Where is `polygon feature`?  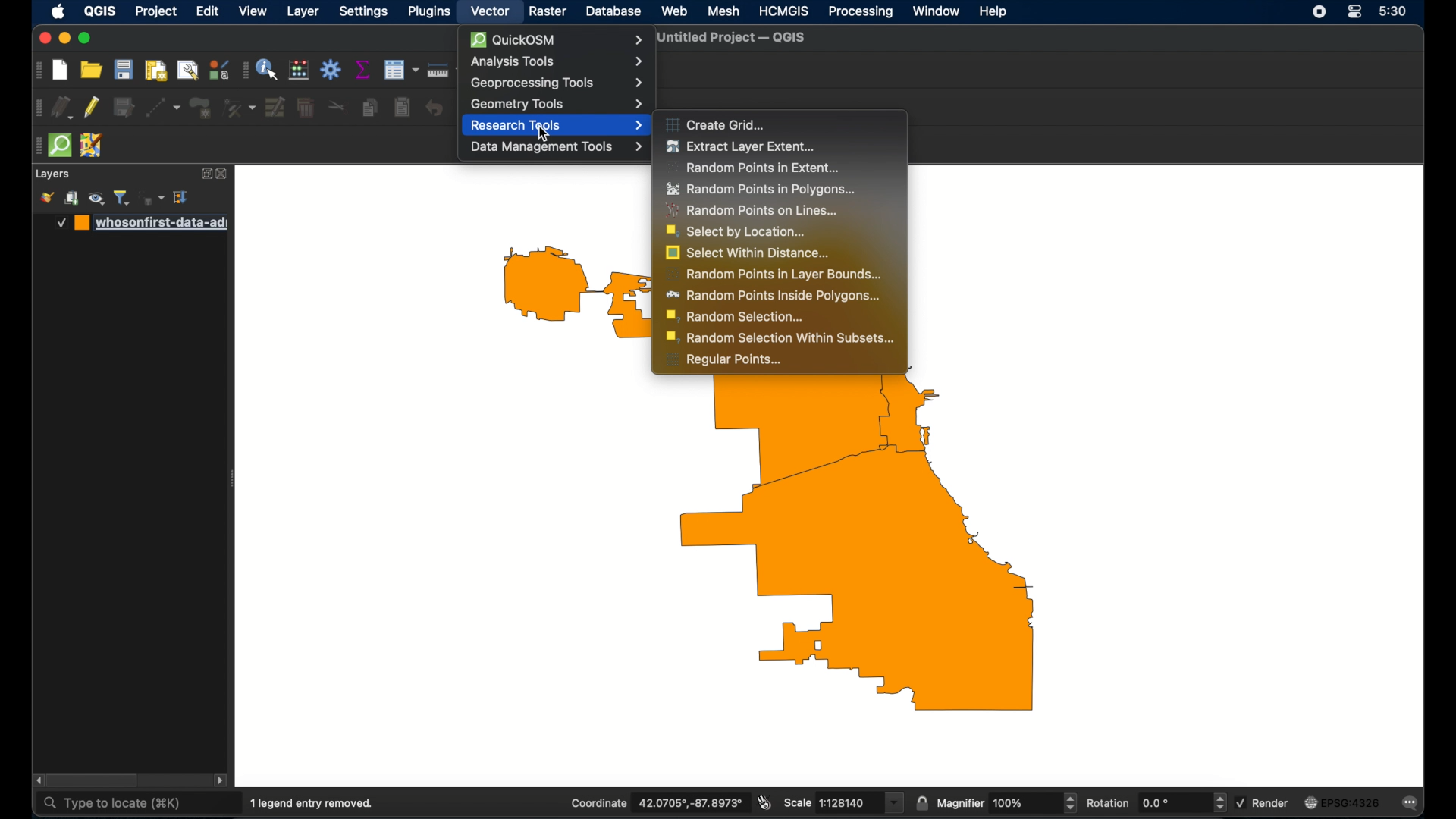
polygon feature is located at coordinates (200, 107).